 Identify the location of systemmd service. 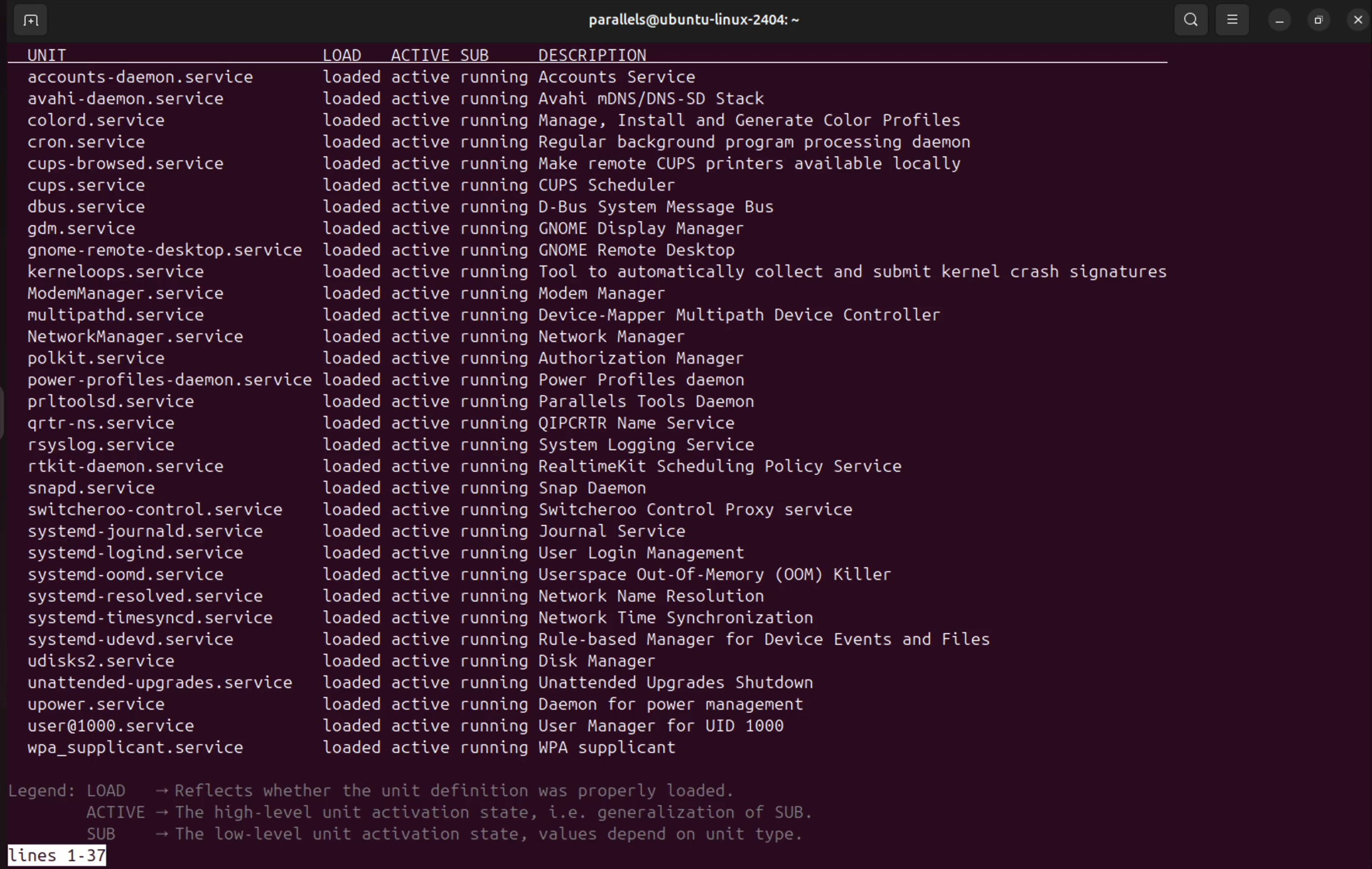
(166, 533).